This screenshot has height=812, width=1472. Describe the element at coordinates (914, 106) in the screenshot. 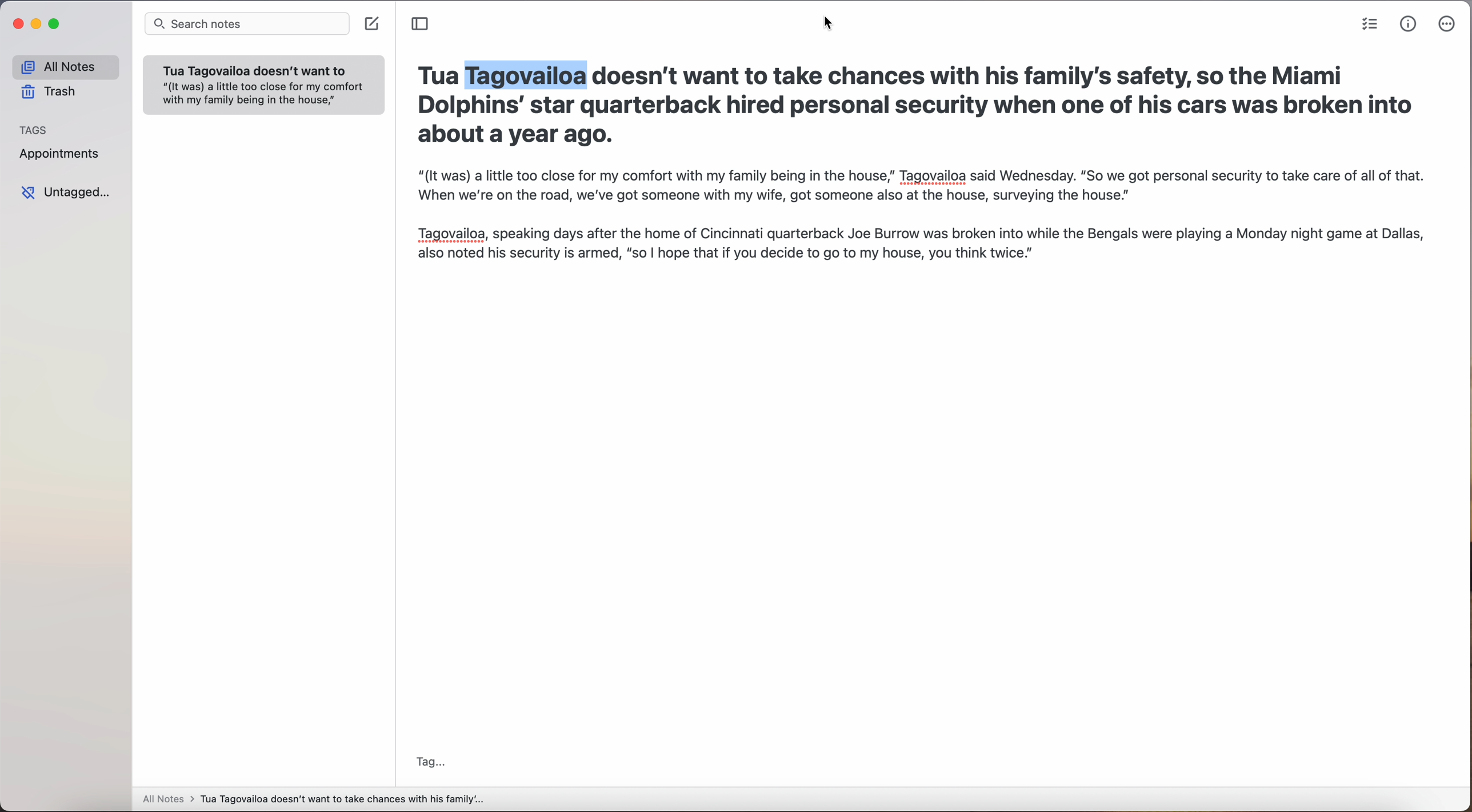

I see `Tua Tagovailoa doesn't want to take chances with his family's safety, so the Miami Dolphins' star quarterback hired personal security when one of his cars was broken into about a year ago.` at that location.